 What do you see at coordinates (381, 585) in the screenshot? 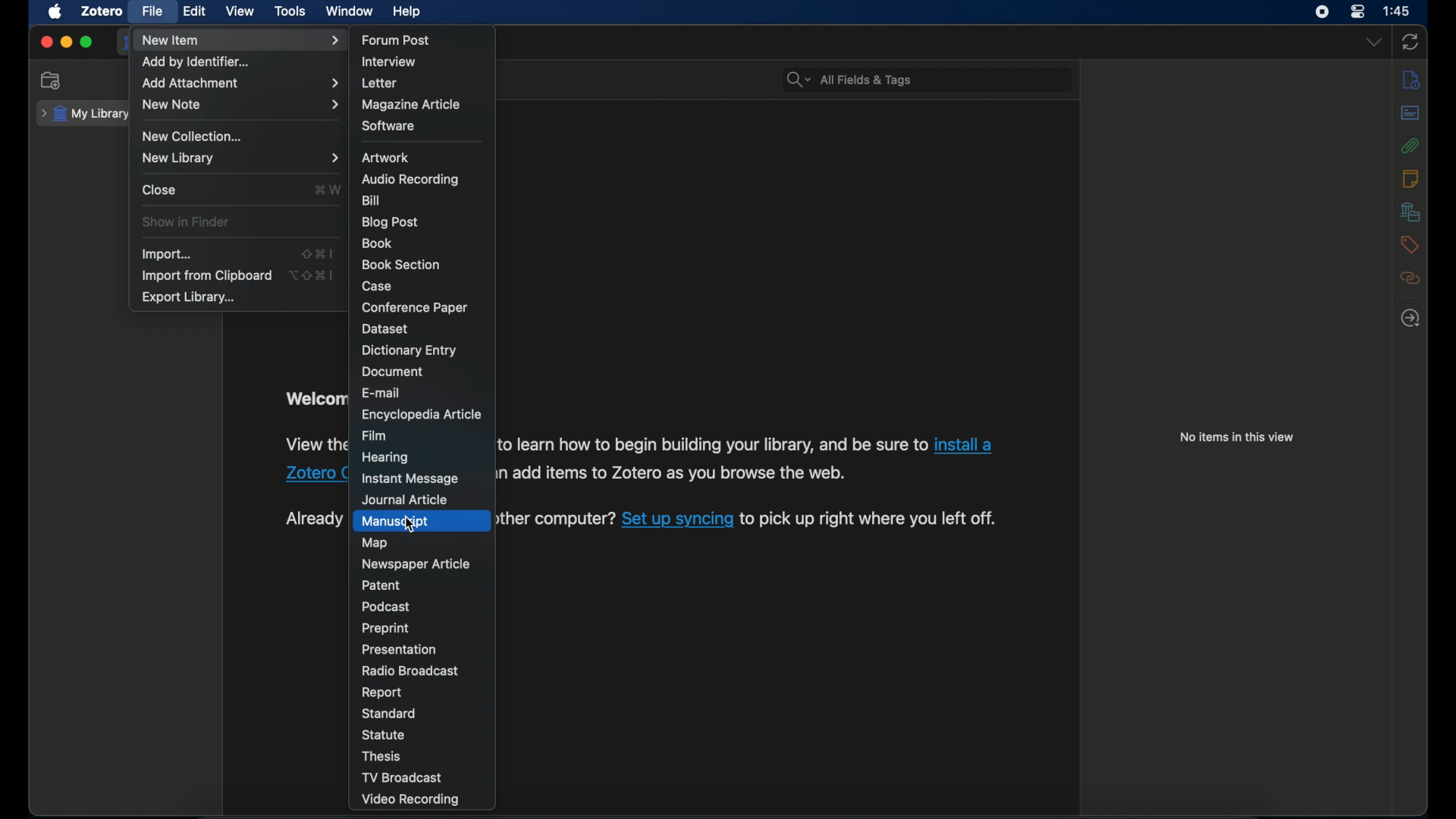
I see `patent` at bounding box center [381, 585].